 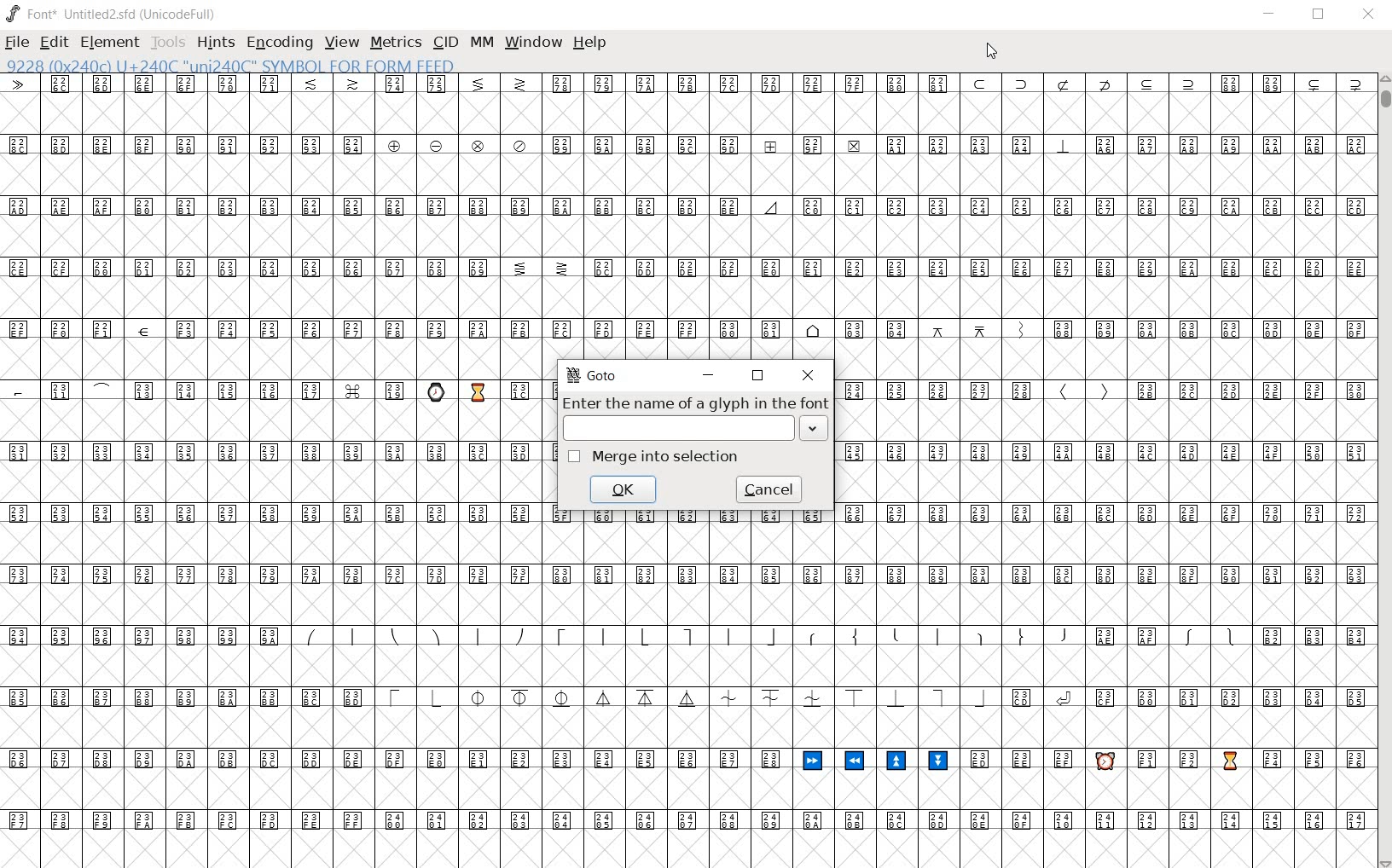 I want to click on glyphs characters, so click(x=960, y=194).